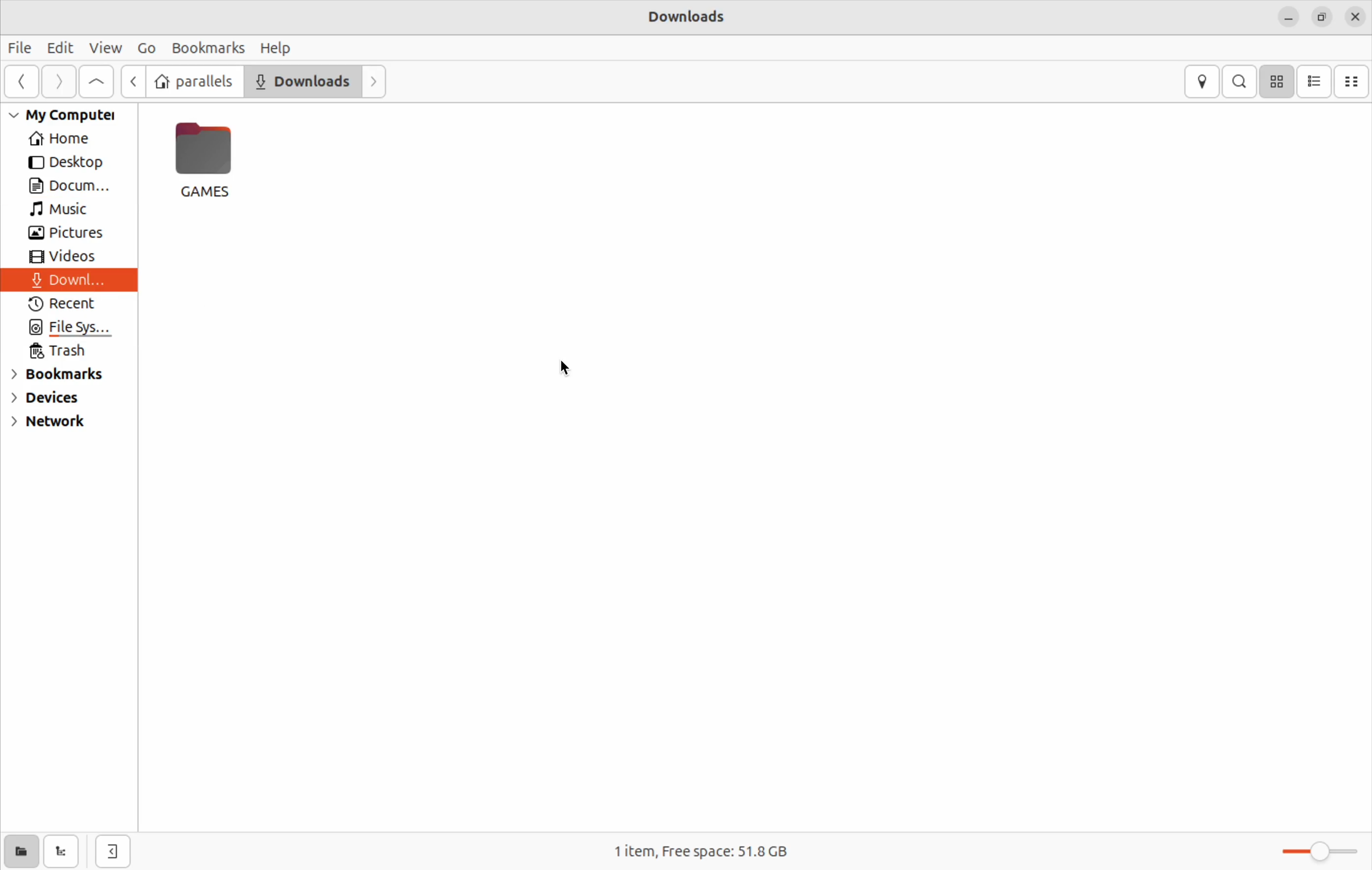  What do you see at coordinates (303, 81) in the screenshot?
I see `documents` at bounding box center [303, 81].